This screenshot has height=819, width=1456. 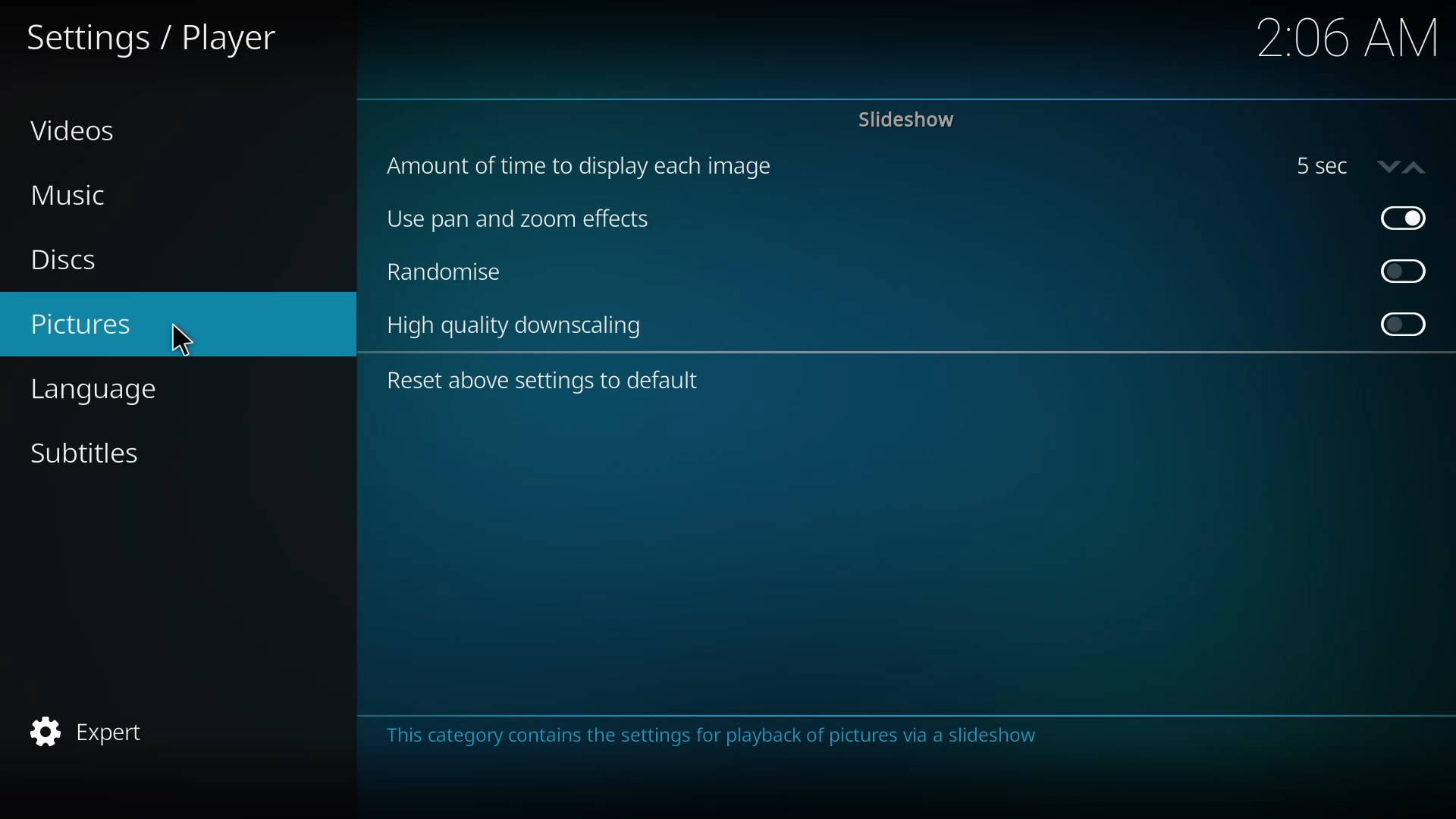 I want to click on reset above settings to default, so click(x=546, y=379).